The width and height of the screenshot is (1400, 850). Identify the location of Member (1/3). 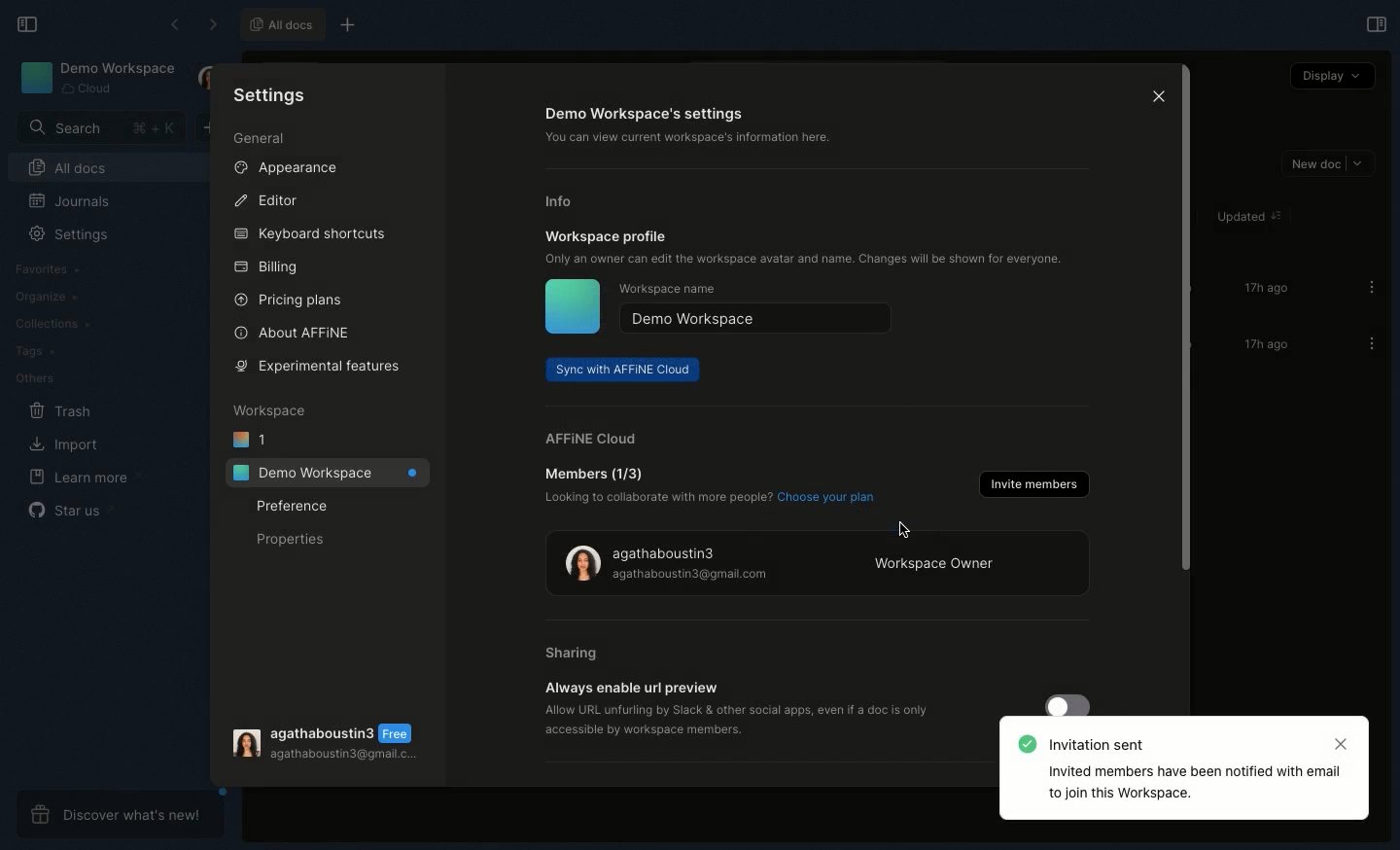
(593, 471).